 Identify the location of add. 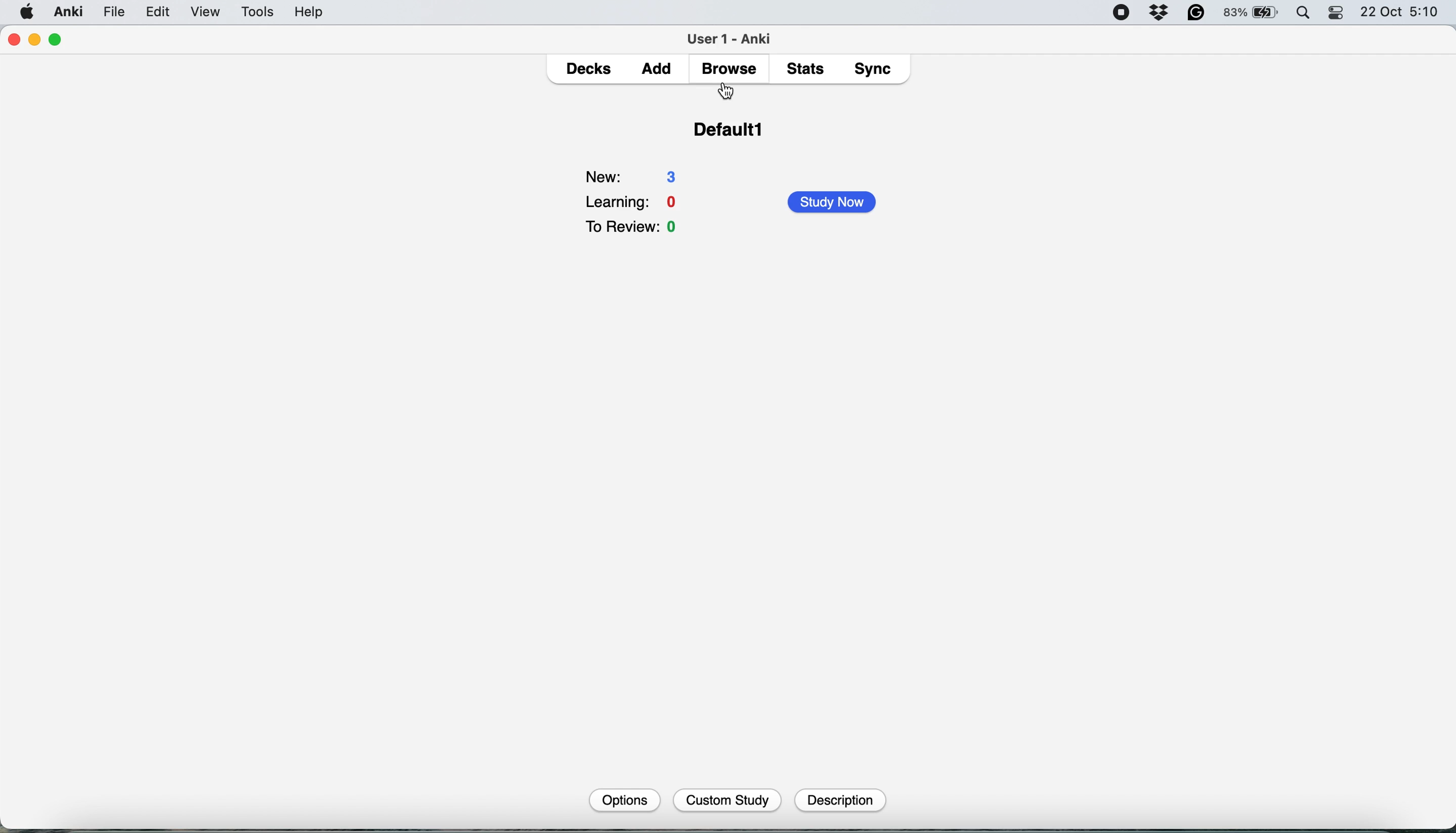
(660, 70).